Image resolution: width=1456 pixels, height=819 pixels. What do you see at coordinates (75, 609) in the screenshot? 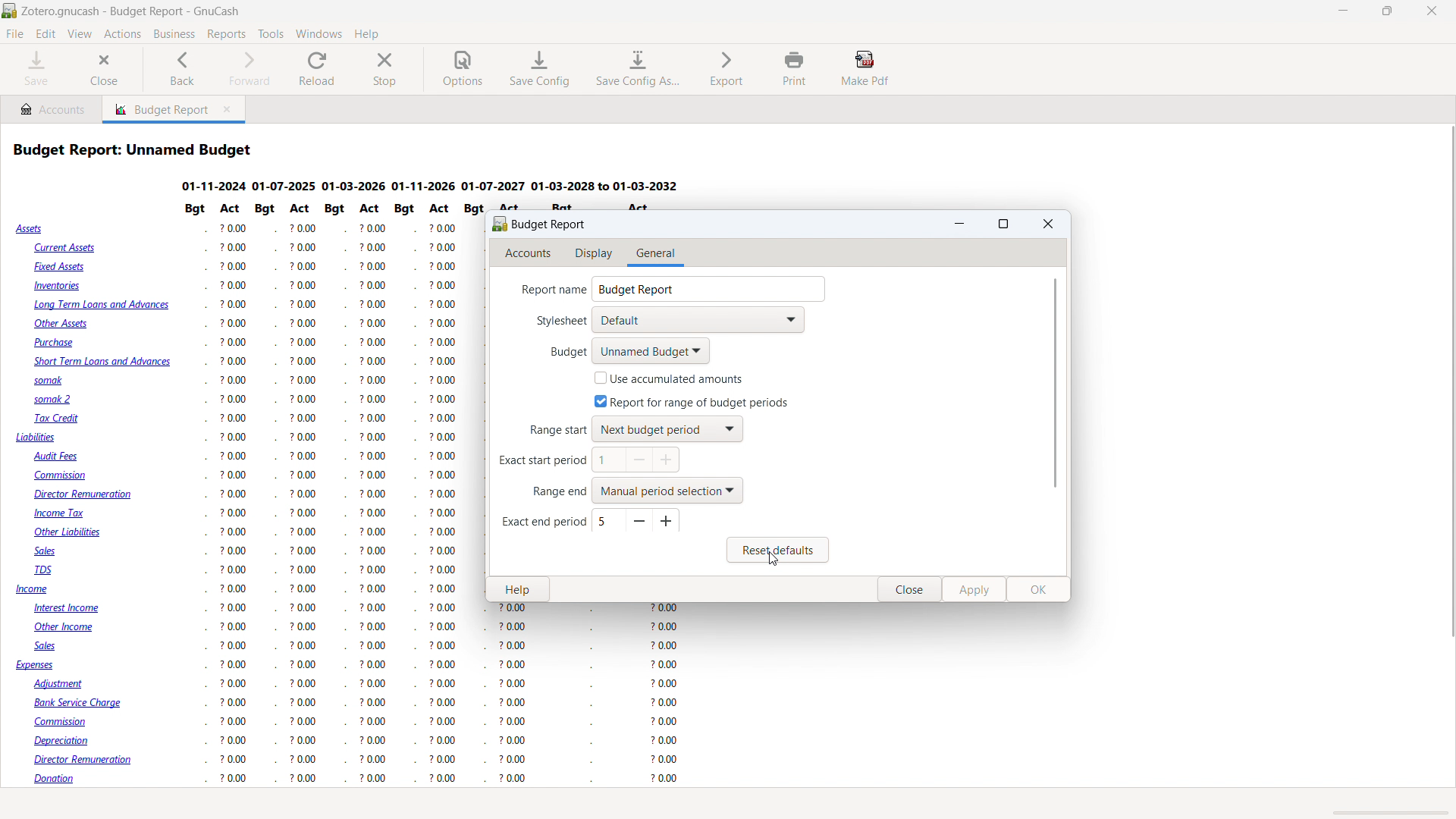
I see `Interest Income` at bounding box center [75, 609].